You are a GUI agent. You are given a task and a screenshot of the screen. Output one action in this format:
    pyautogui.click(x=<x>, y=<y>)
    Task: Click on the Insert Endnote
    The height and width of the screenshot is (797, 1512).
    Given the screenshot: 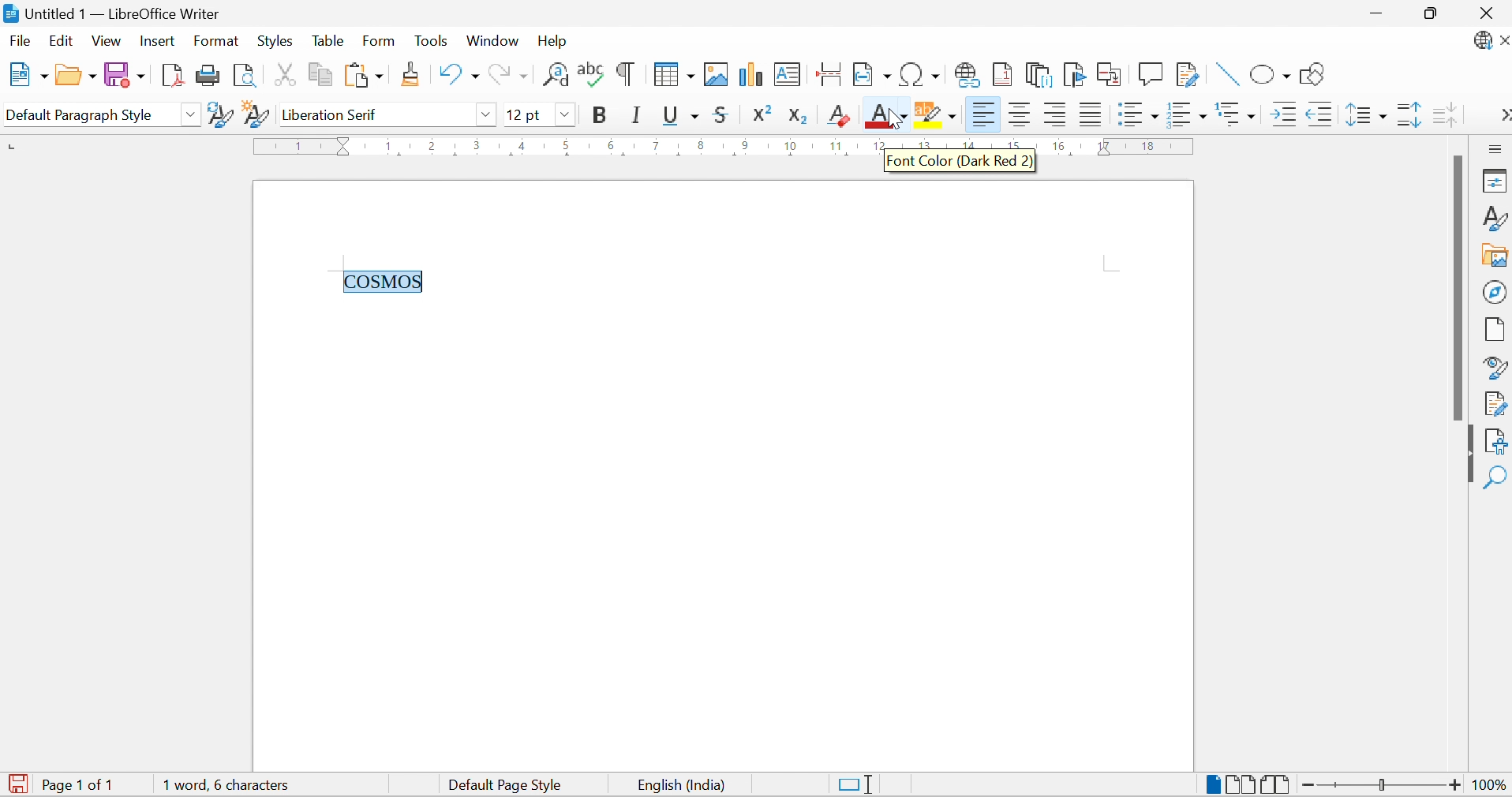 What is the action you would take?
    pyautogui.click(x=1039, y=74)
    